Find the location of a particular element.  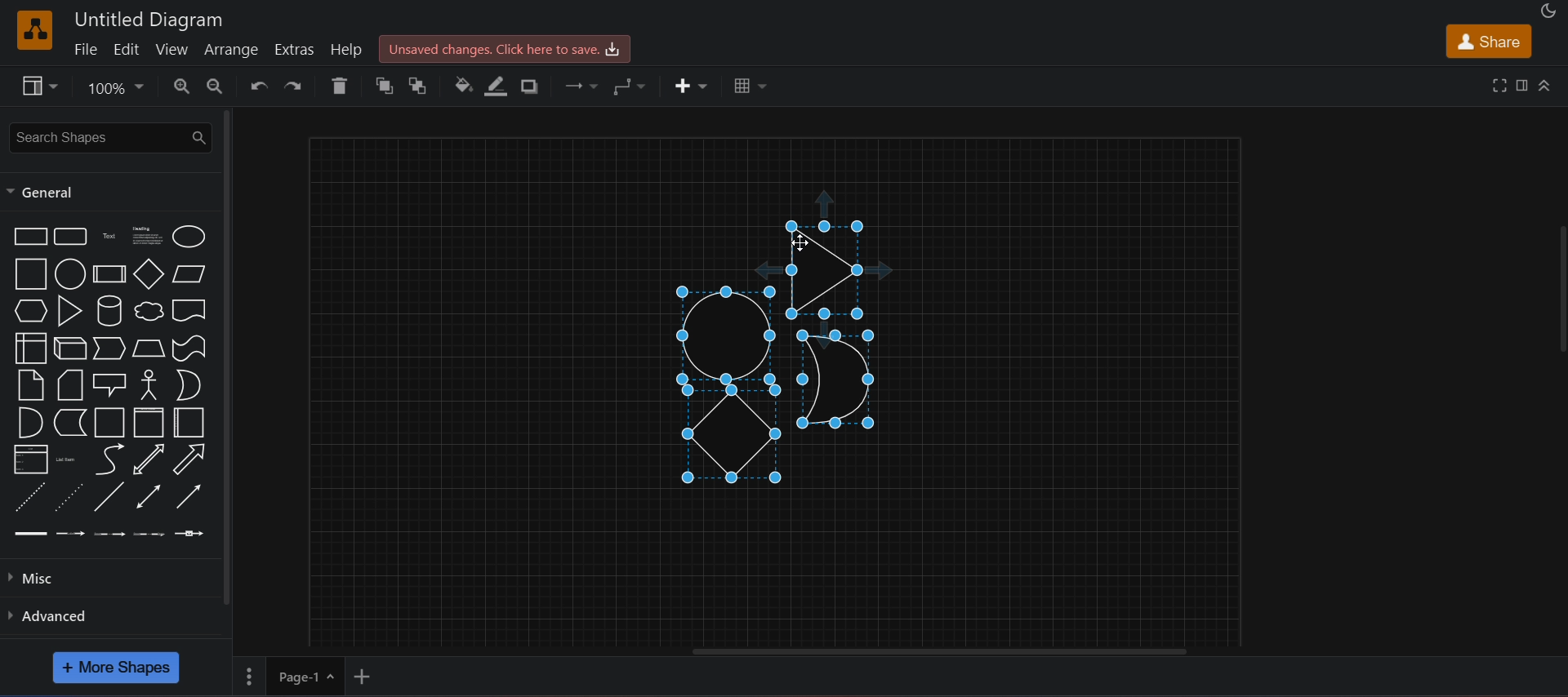

unsaved changes. click here to save is located at coordinates (502, 48).